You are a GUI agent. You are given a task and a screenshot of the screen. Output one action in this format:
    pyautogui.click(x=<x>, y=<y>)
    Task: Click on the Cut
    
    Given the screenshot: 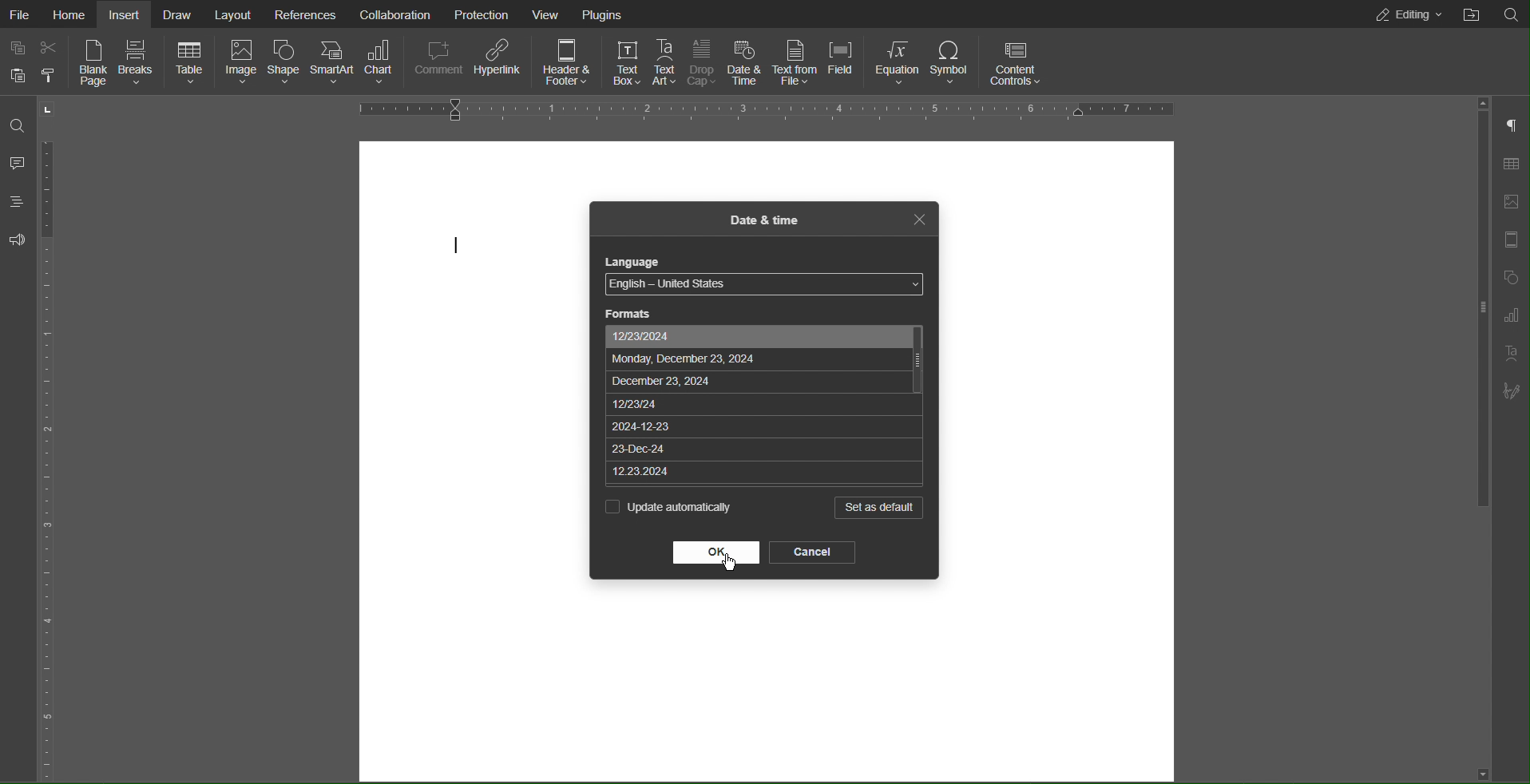 What is the action you would take?
    pyautogui.click(x=48, y=51)
    